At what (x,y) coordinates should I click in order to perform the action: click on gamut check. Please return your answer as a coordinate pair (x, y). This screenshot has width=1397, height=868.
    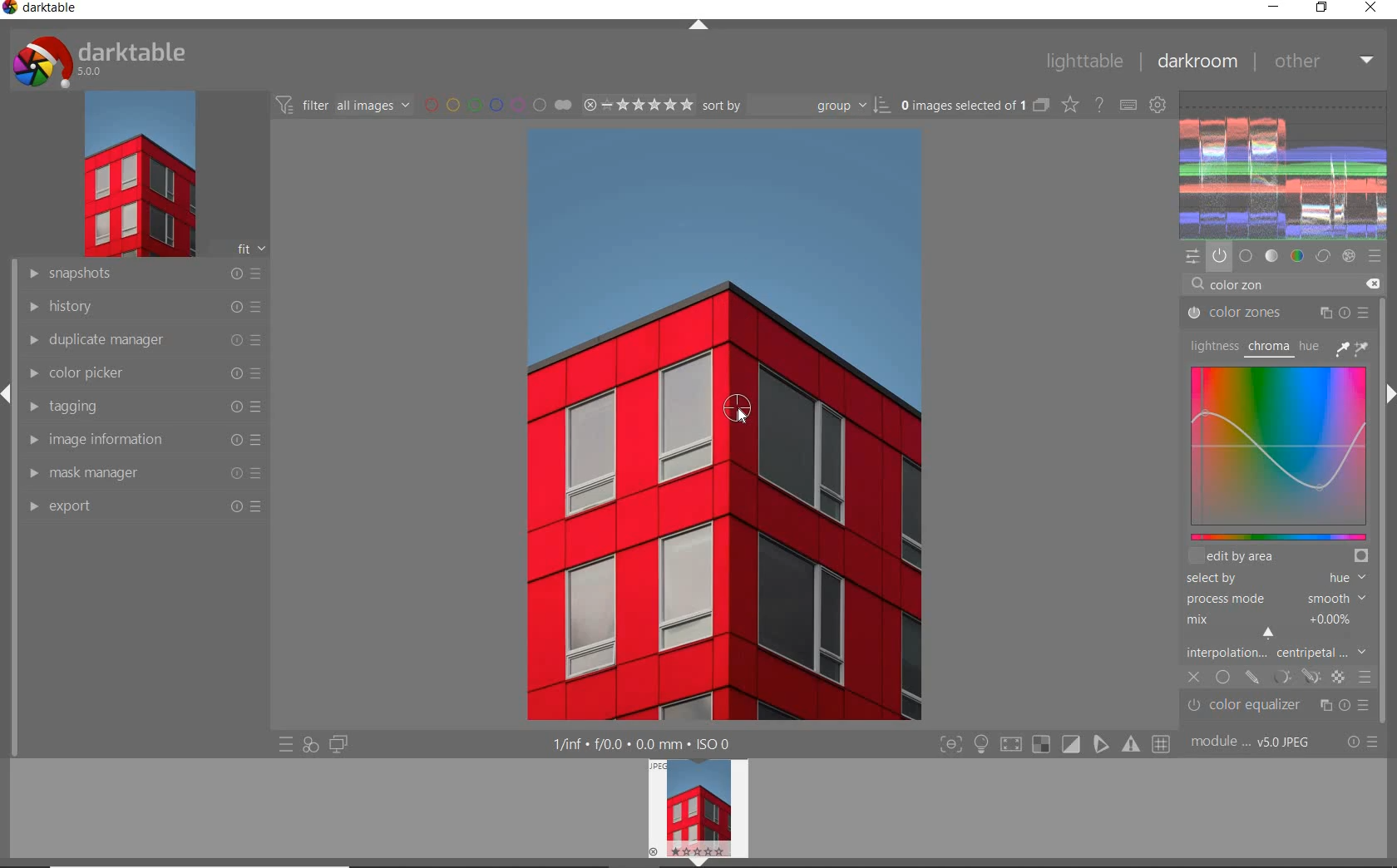
    Looking at the image, I should click on (1039, 744).